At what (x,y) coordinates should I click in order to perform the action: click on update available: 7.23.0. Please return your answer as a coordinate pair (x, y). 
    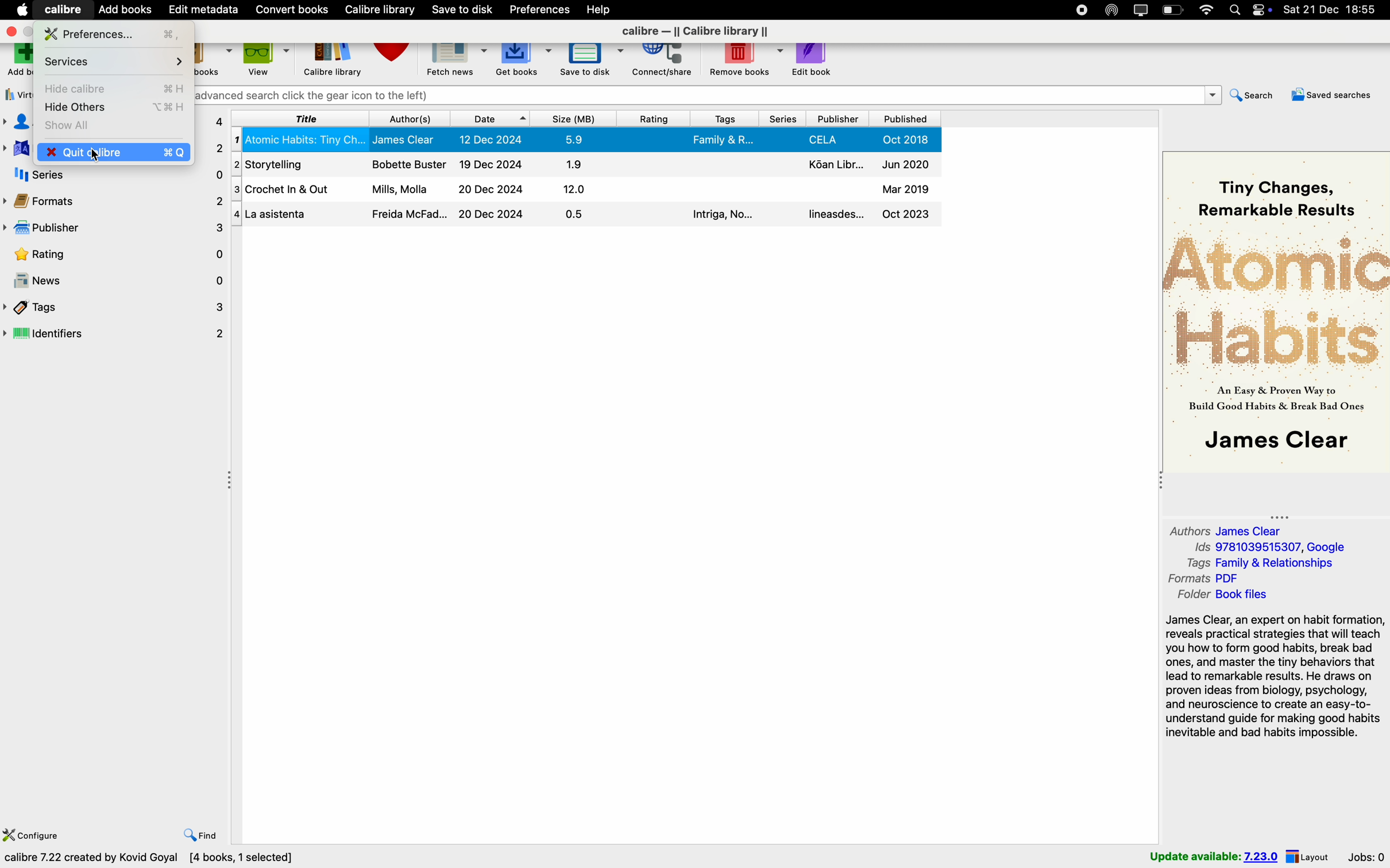
    Looking at the image, I should click on (1213, 855).